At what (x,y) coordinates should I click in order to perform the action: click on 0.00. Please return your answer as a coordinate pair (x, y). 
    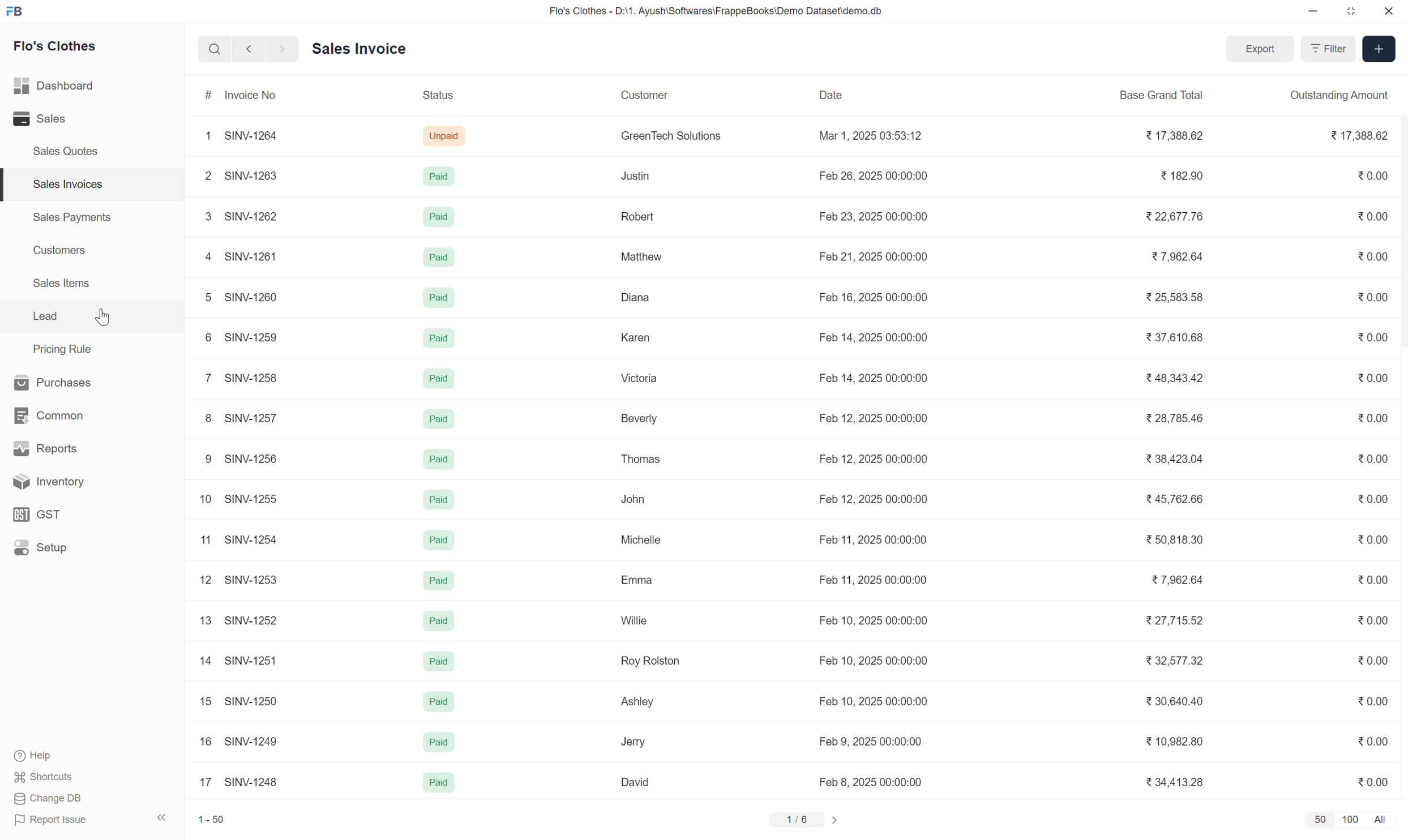
    Looking at the image, I should click on (1372, 658).